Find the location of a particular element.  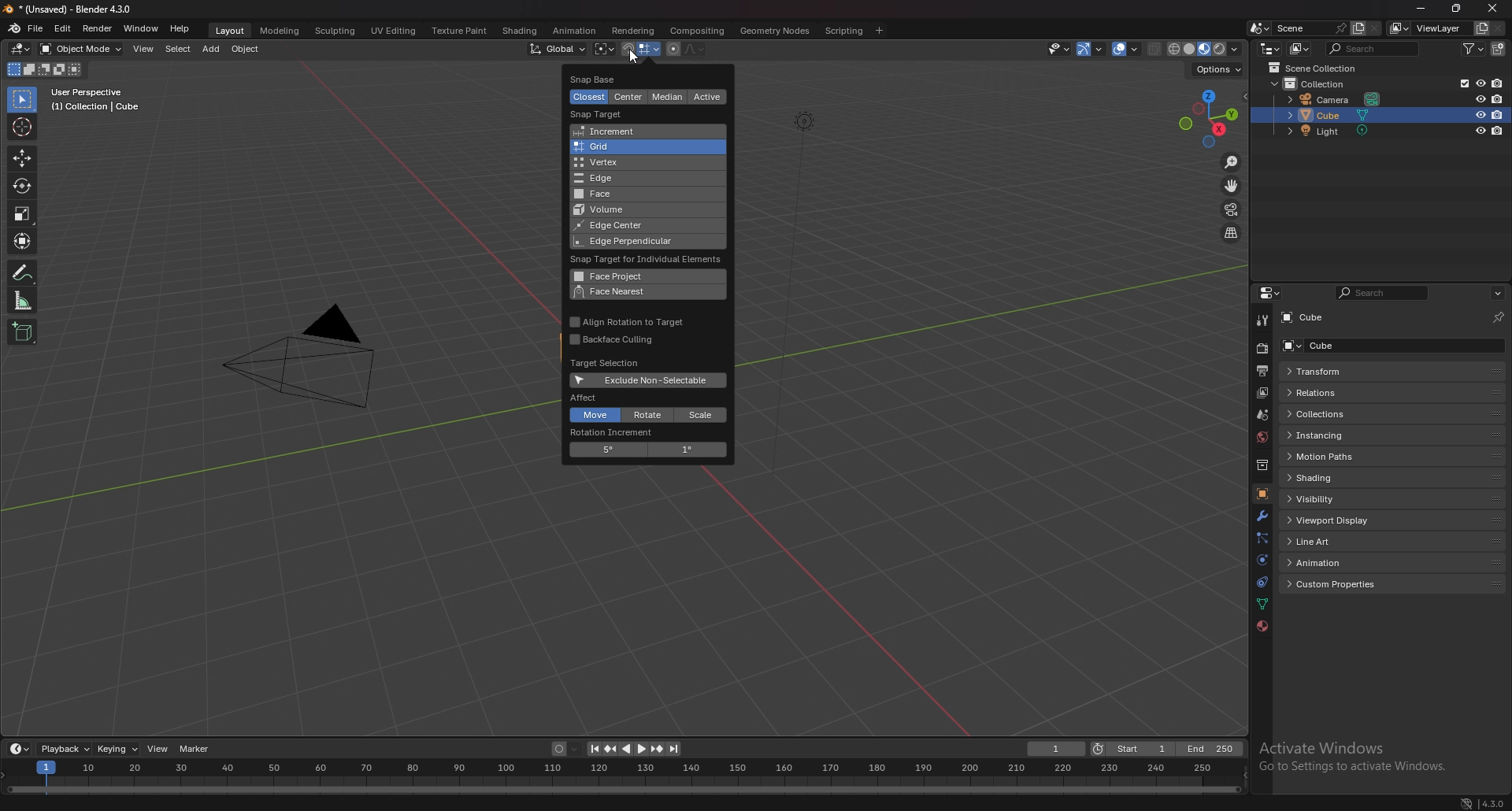

cursor is located at coordinates (20, 126).